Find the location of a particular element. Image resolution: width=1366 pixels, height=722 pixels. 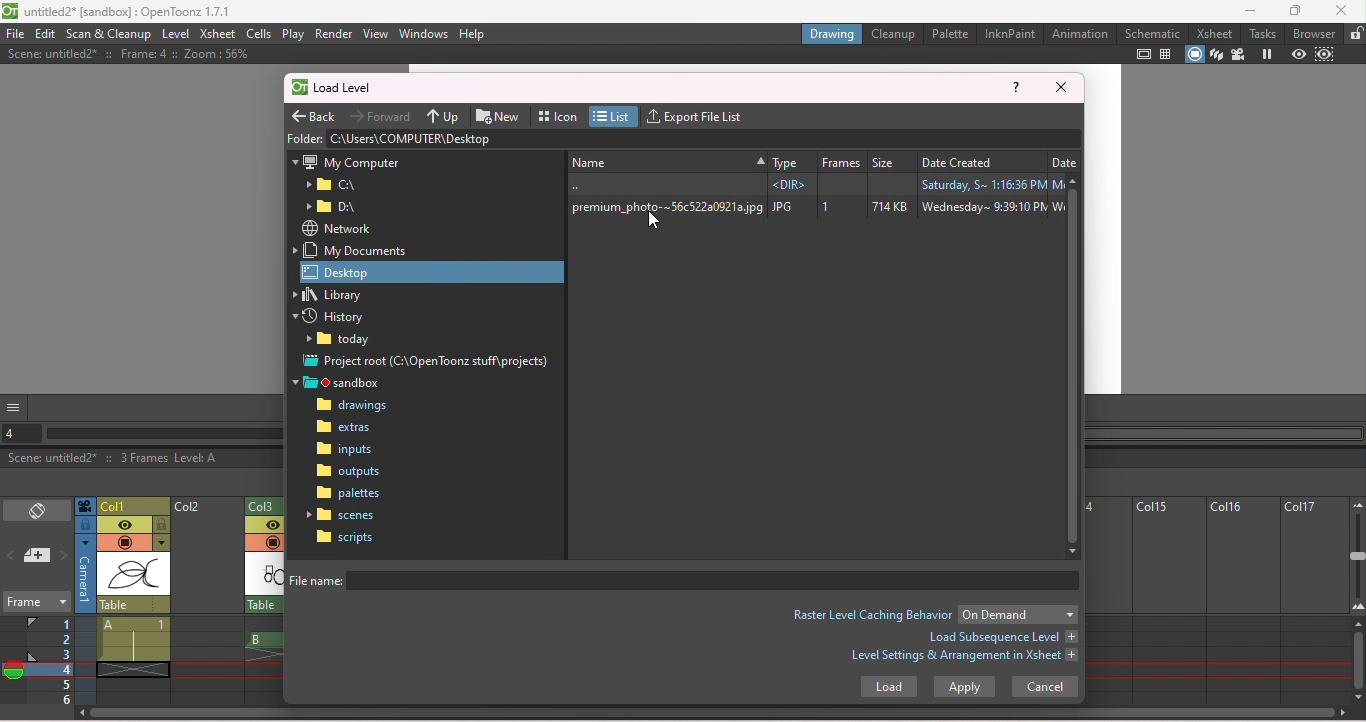

Date  is located at coordinates (1064, 159).